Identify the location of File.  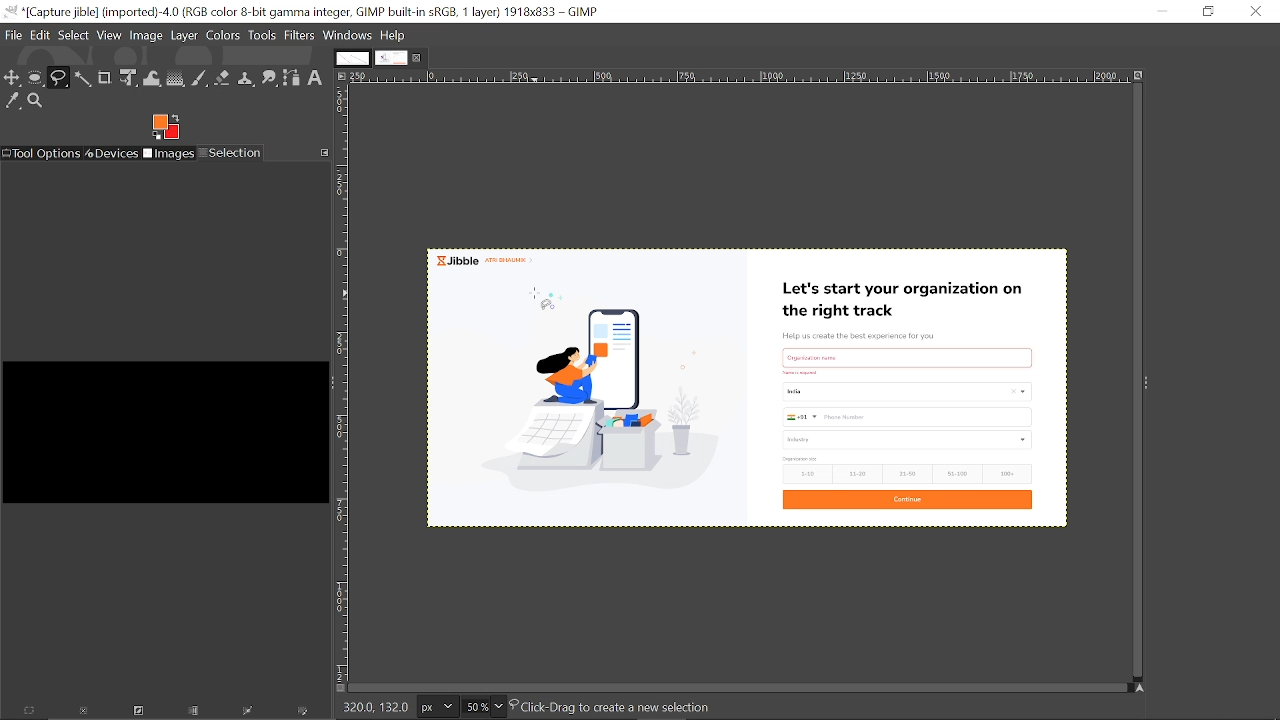
(14, 34).